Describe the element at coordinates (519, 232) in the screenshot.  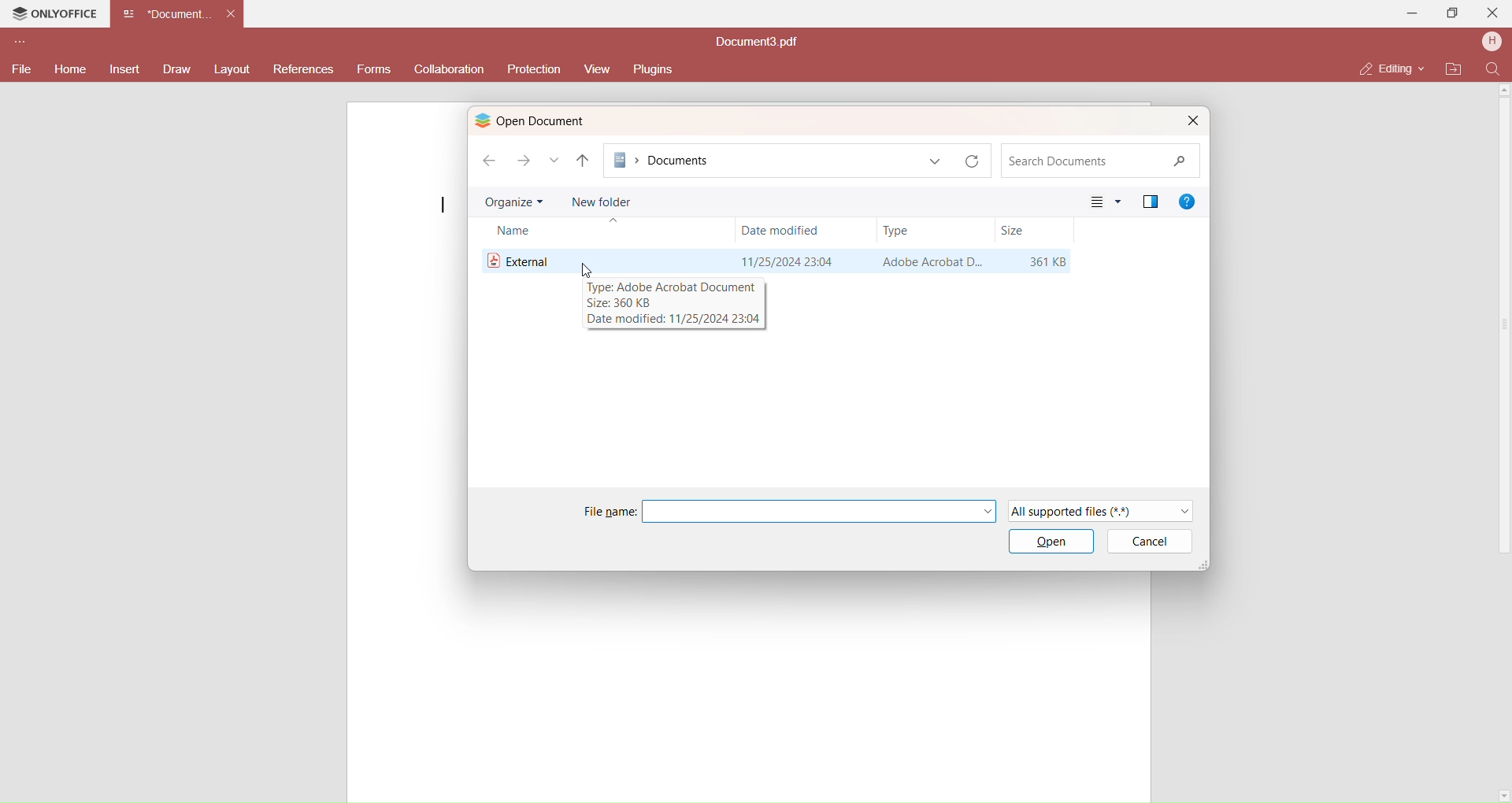
I see `Name` at that location.